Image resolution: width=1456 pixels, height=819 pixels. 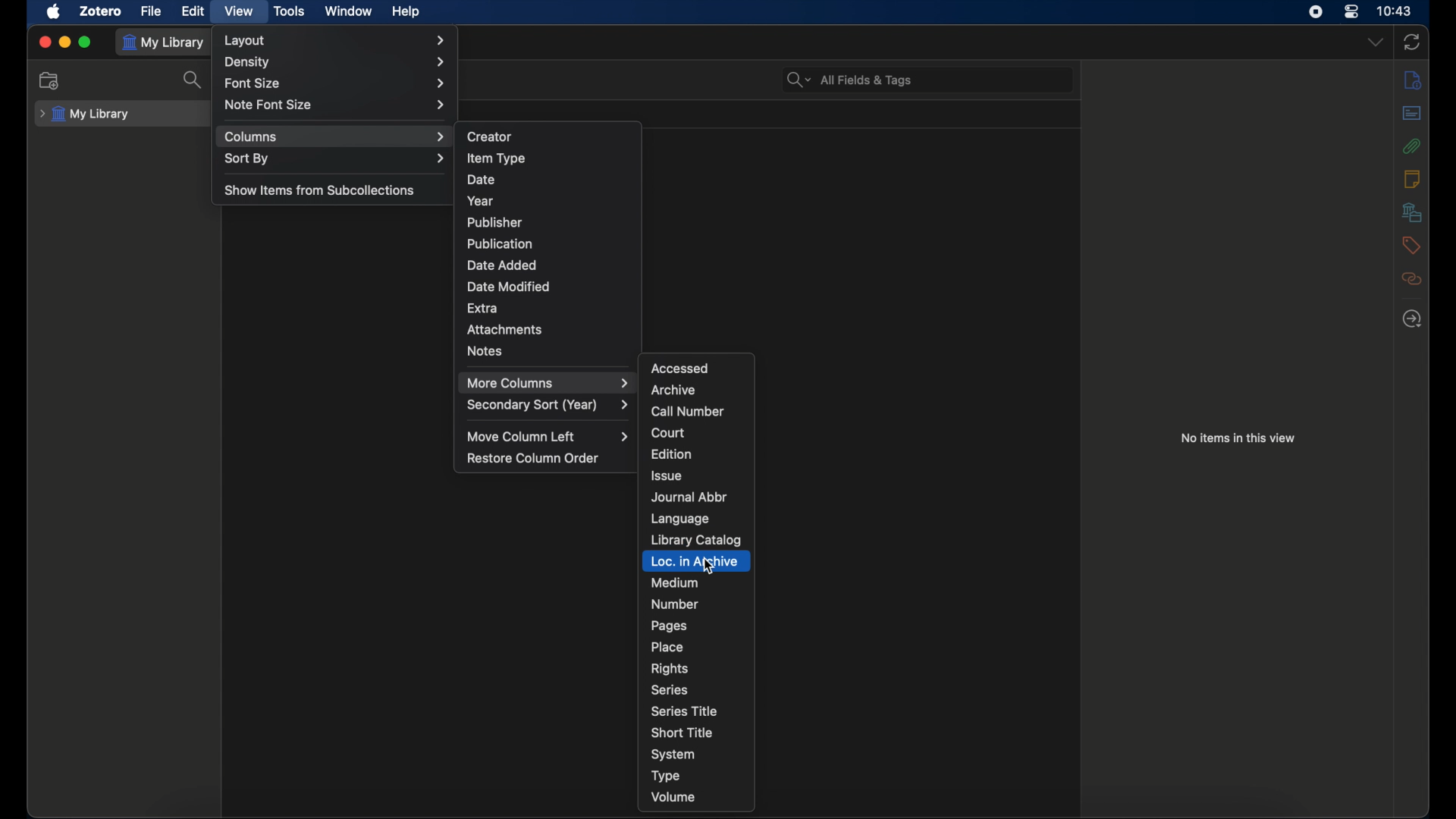 I want to click on secondary sort, so click(x=550, y=405).